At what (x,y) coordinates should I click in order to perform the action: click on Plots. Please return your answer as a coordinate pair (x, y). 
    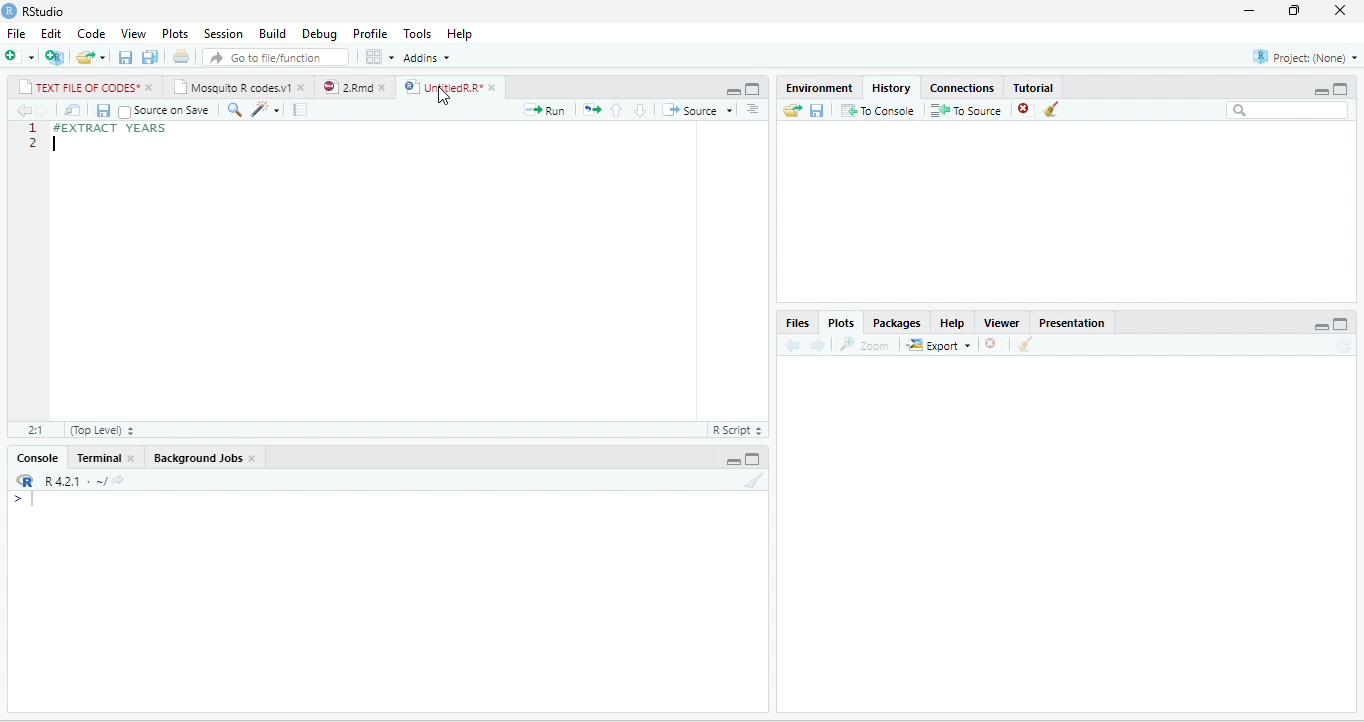
    Looking at the image, I should click on (841, 322).